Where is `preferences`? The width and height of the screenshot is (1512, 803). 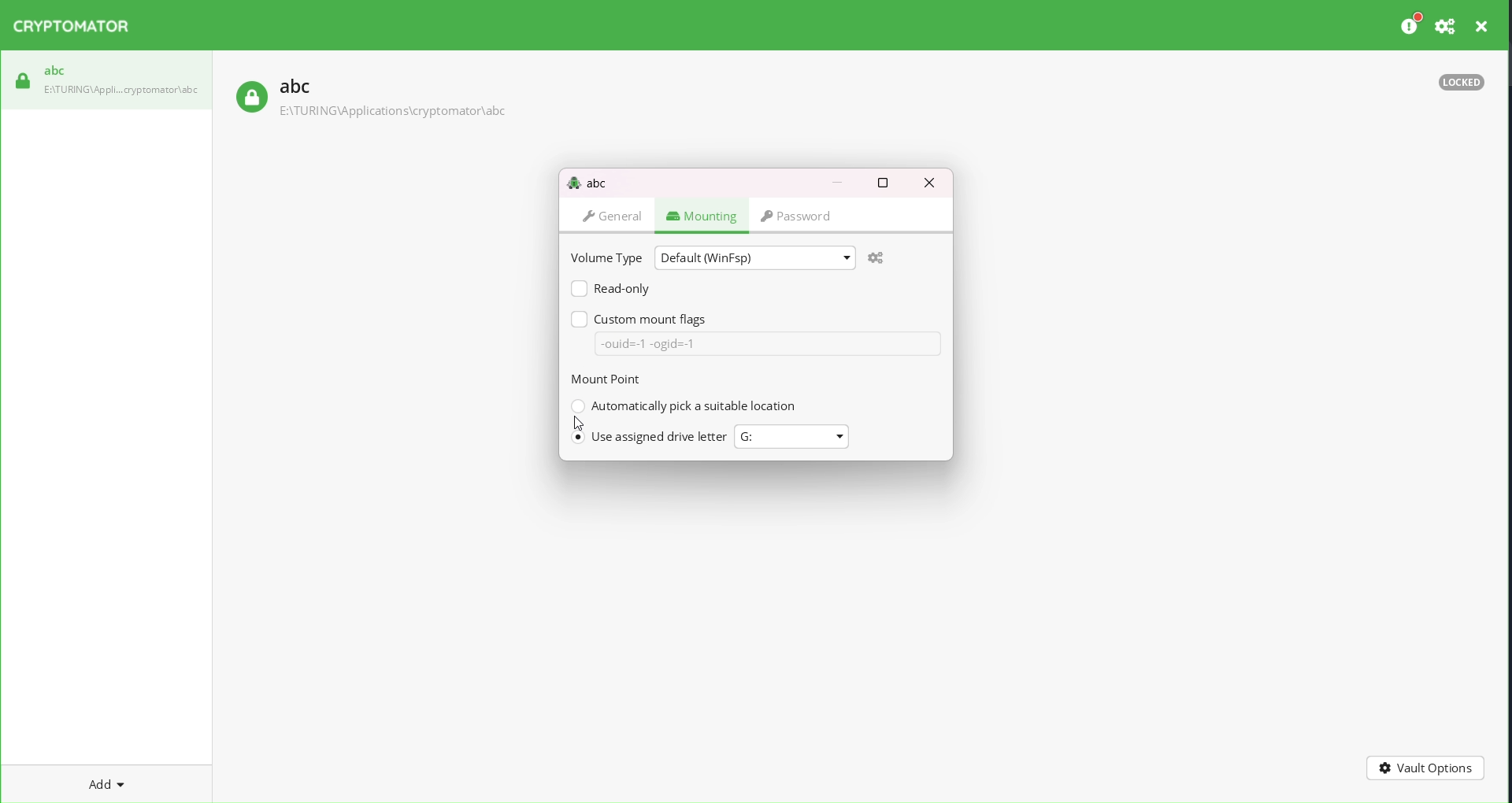
preferences is located at coordinates (1408, 24).